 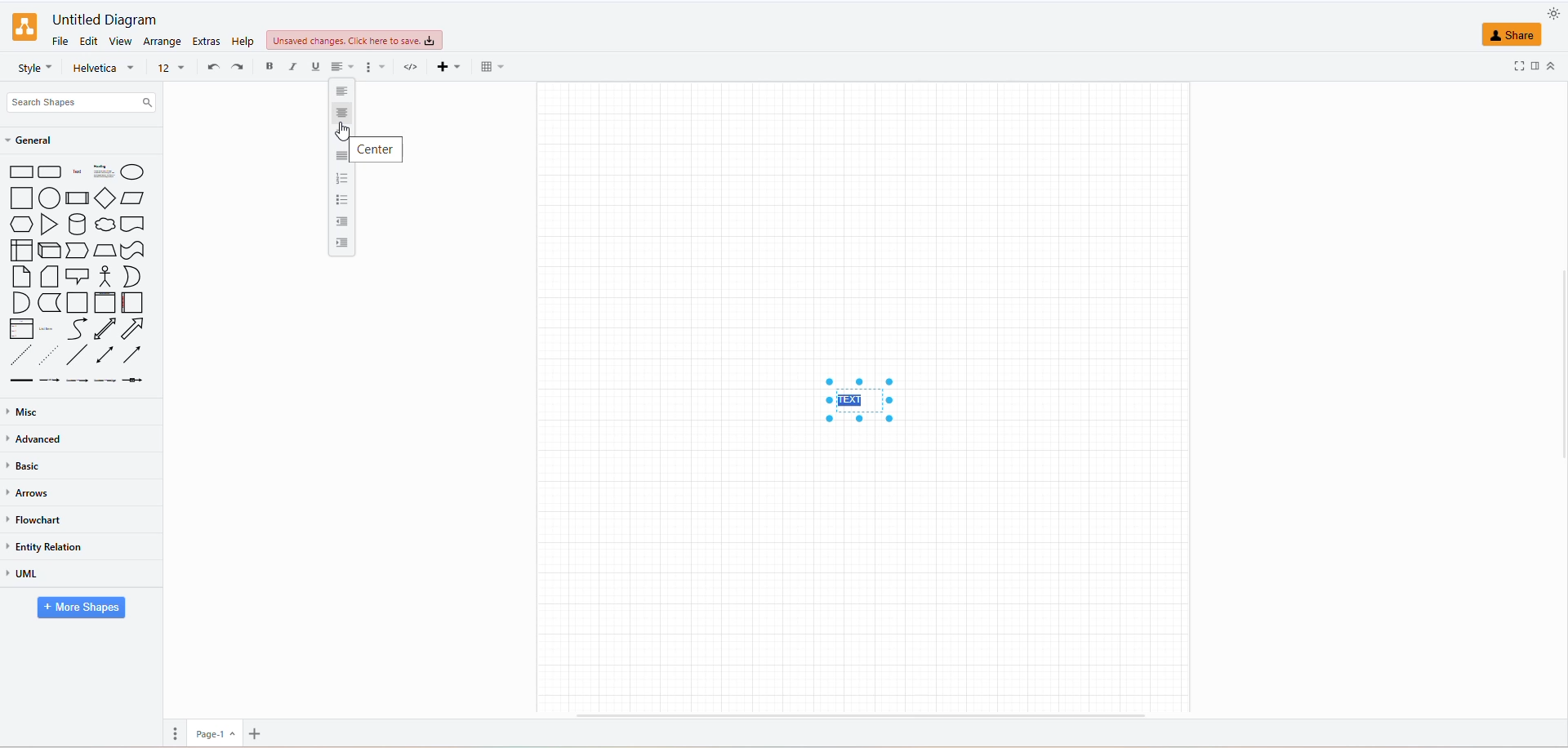 What do you see at coordinates (444, 65) in the screenshot?
I see `insert` at bounding box center [444, 65].